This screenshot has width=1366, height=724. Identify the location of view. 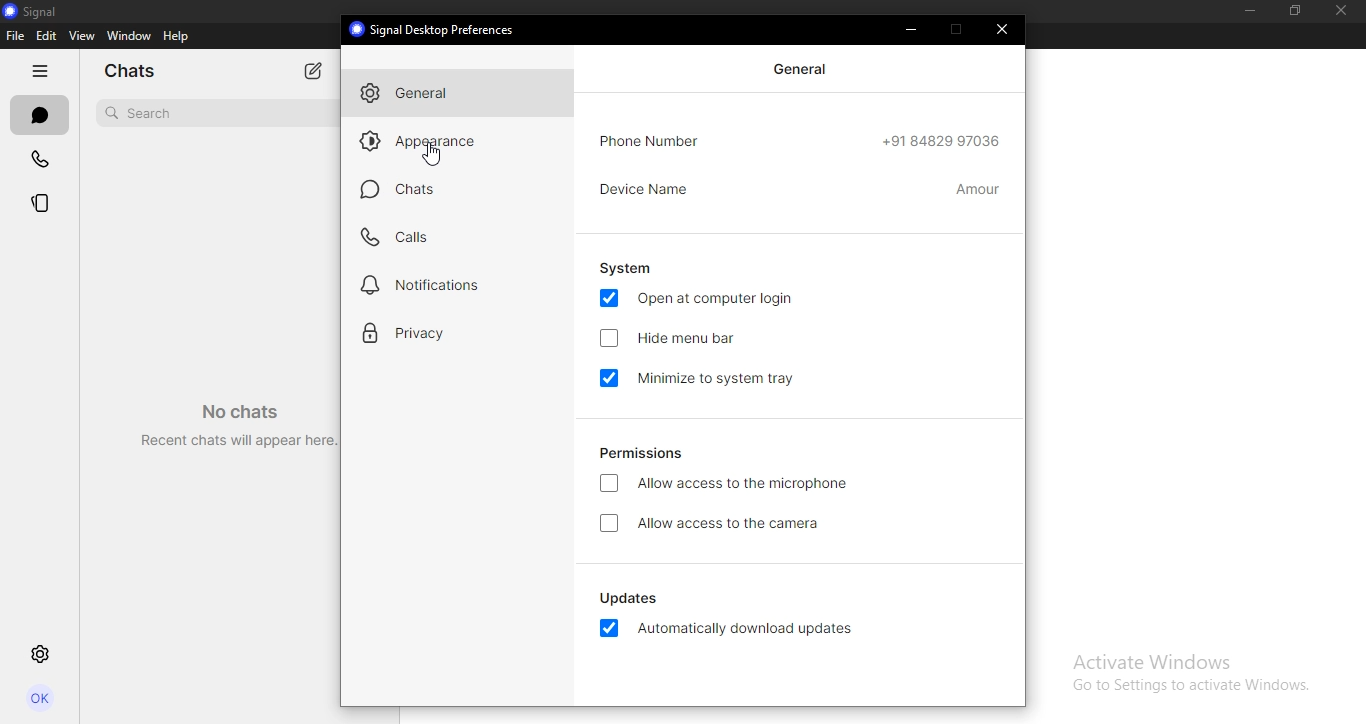
(81, 36).